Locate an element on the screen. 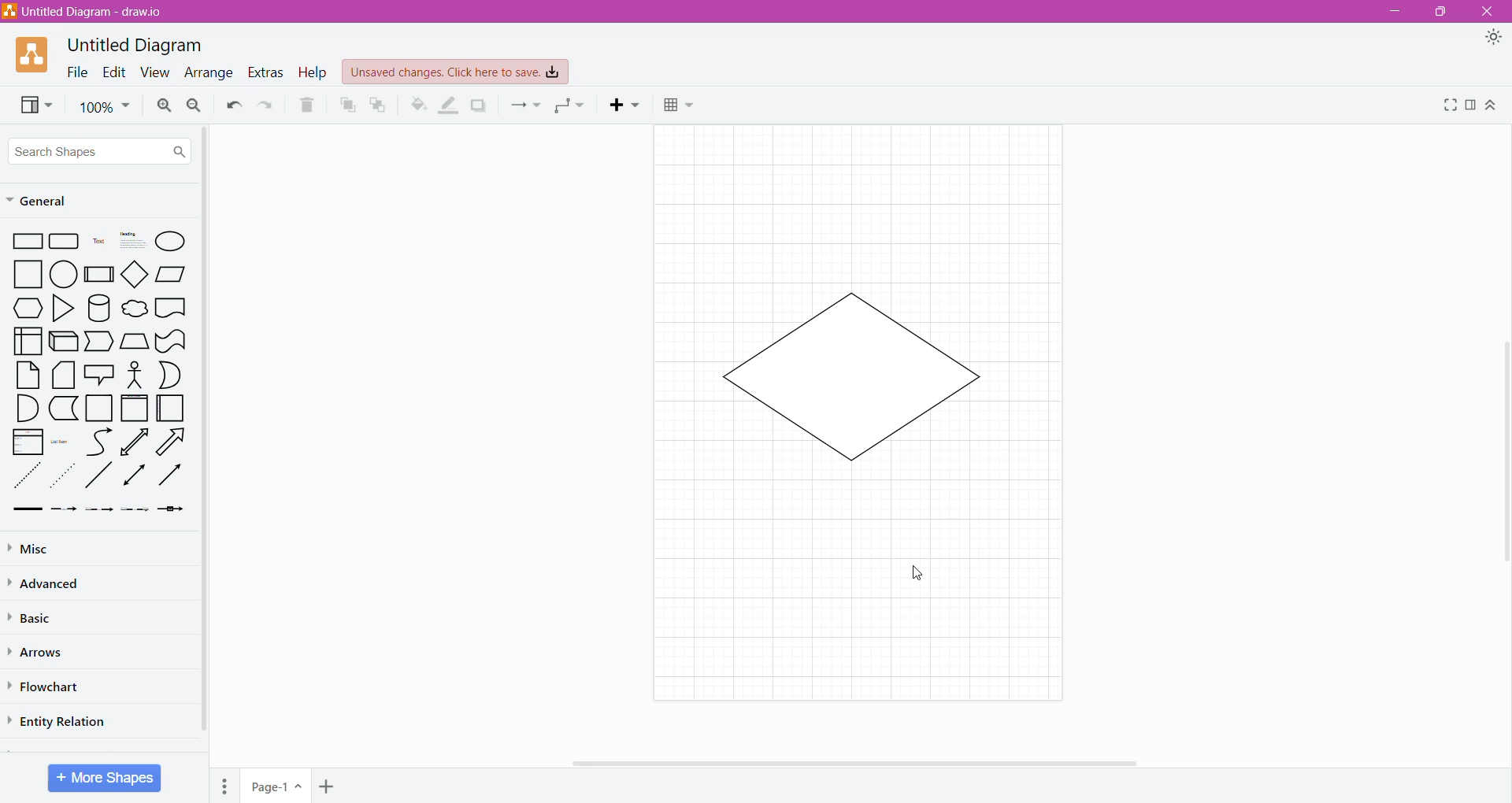 Image resolution: width=1512 pixels, height=803 pixels. Minimize is located at coordinates (1394, 12).